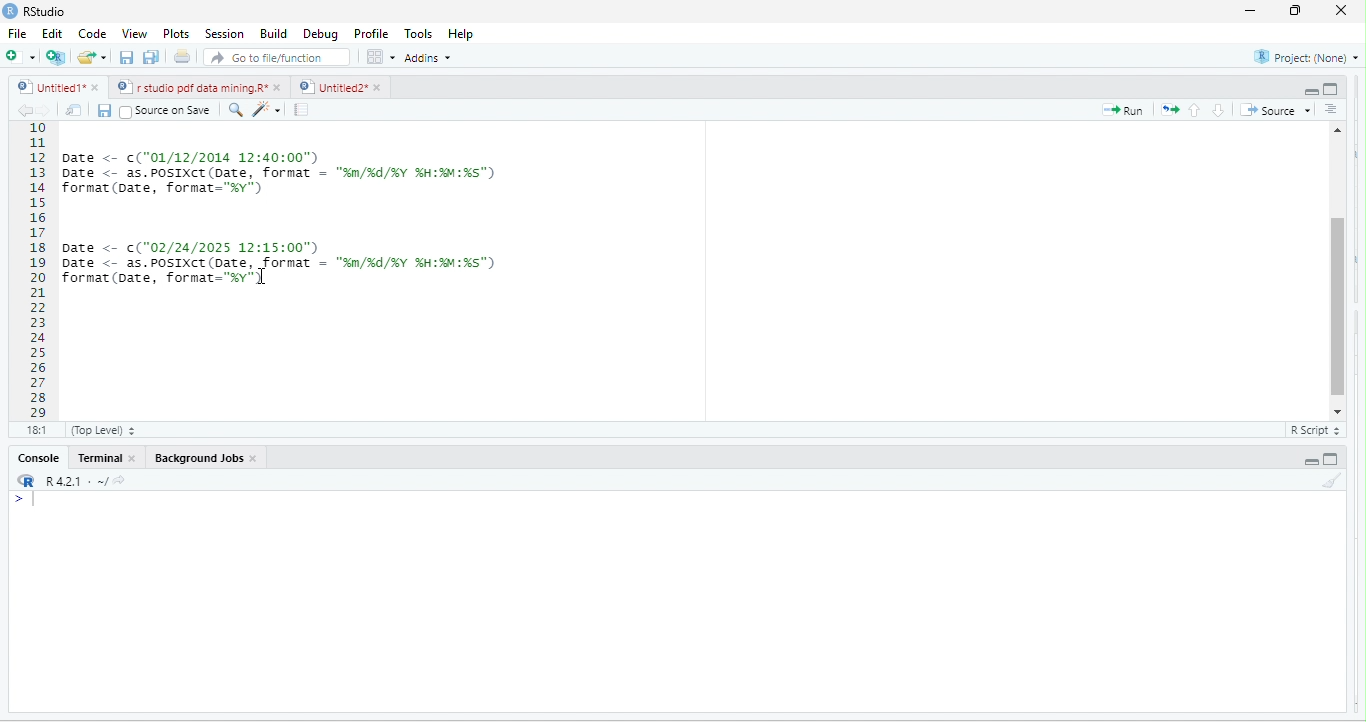  What do you see at coordinates (1337, 268) in the screenshot?
I see `vertical scroll bar` at bounding box center [1337, 268].